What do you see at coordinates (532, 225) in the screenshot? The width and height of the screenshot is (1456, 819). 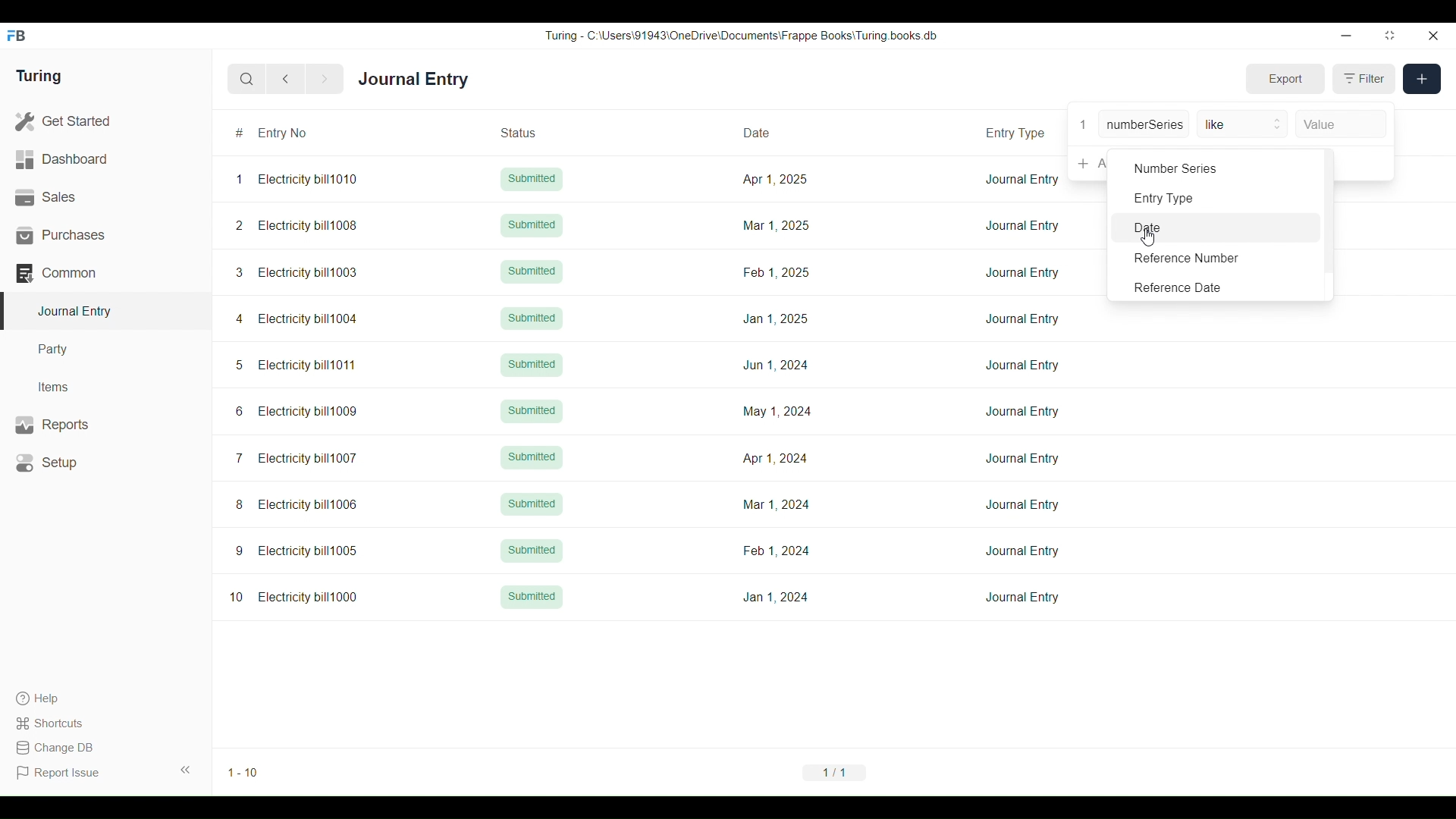 I see `Submitted` at bounding box center [532, 225].